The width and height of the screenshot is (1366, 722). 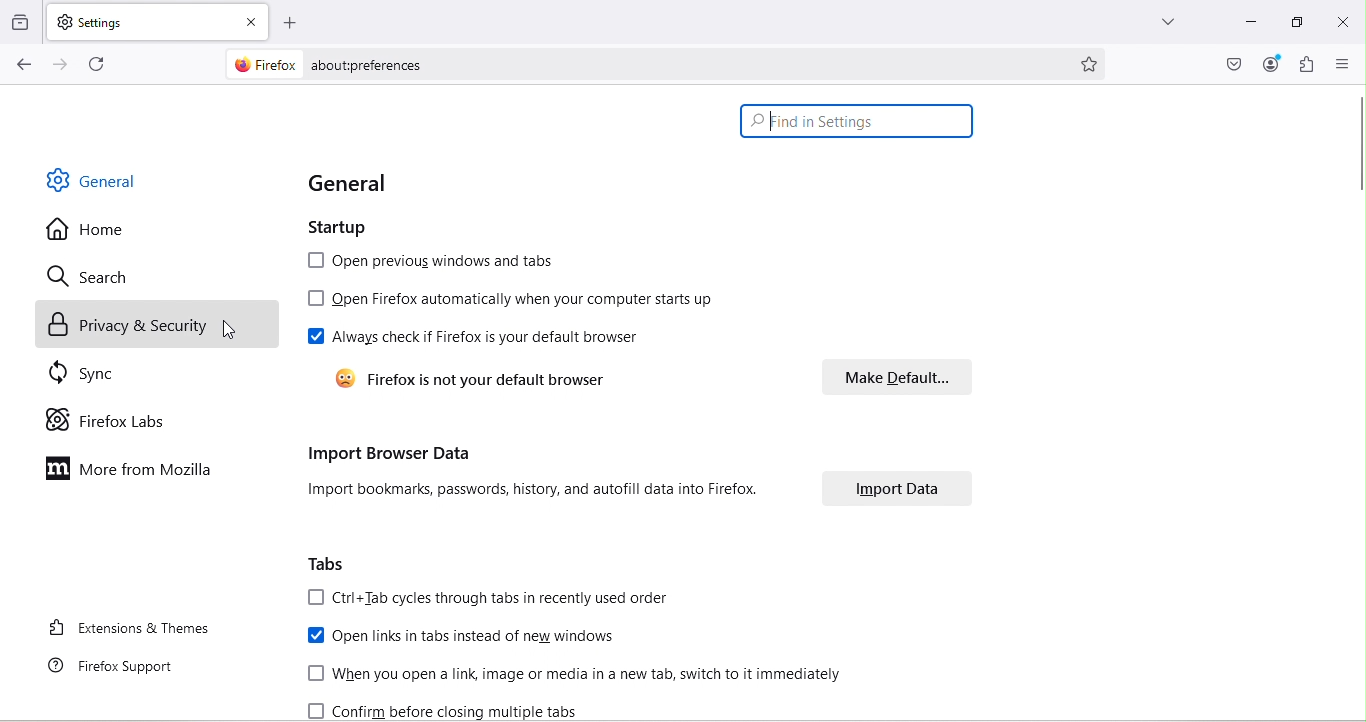 I want to click on Open links in tabs instead of new windows, so click(x=468, y=634).